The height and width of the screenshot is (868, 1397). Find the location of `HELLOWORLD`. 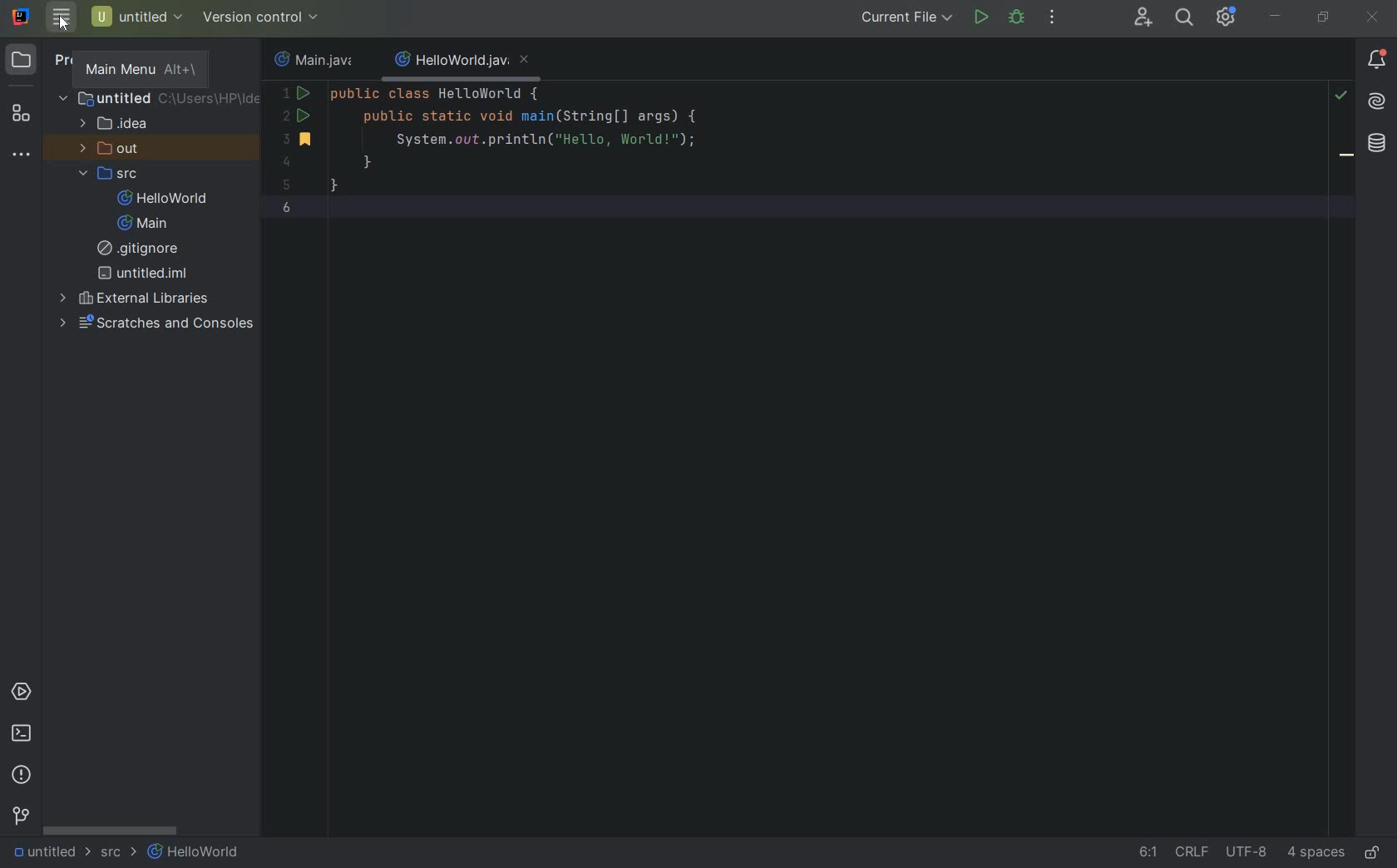

HELLOWORLD is located at coordinates (164, 199).